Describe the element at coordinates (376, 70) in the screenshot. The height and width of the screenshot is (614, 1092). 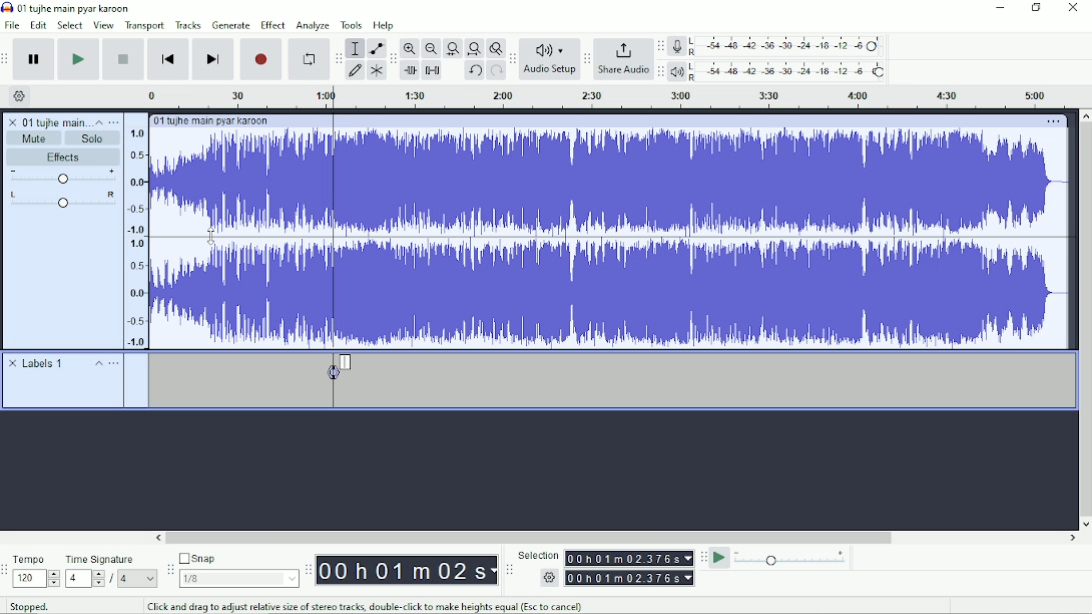
I see `Multi-tool` at that location.